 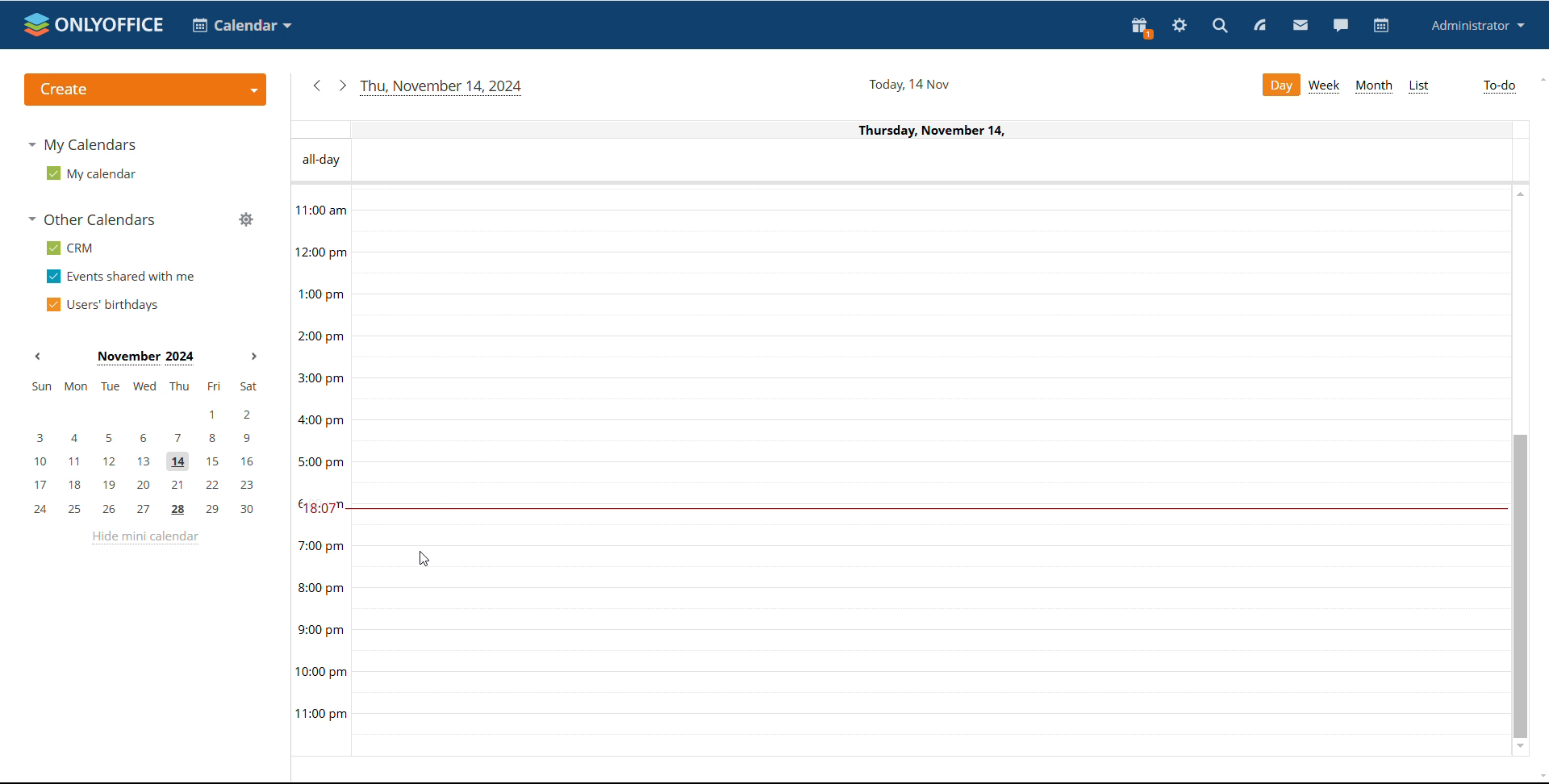 What do you see at coordinates (1221, 27) in the screenshot?
I see `search` at bounding box center [1221, 27].